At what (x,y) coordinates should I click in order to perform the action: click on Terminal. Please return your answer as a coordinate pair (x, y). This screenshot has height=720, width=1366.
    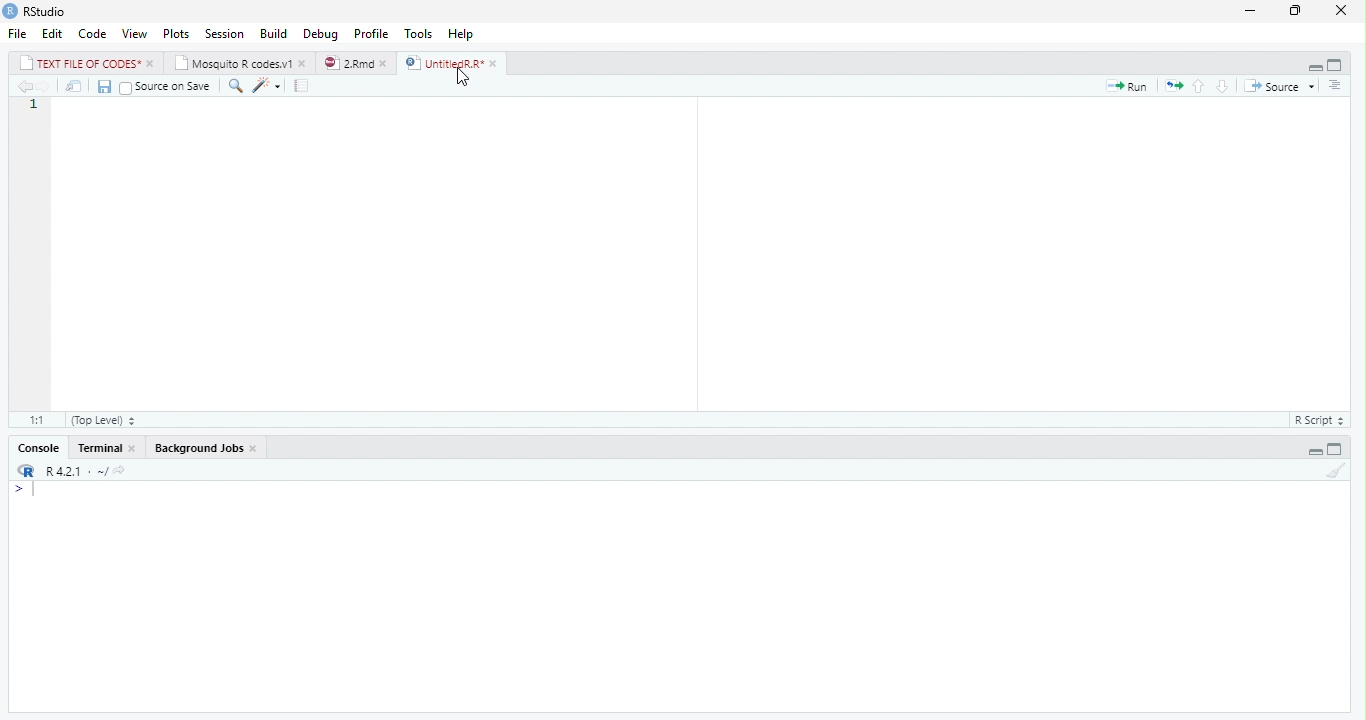
    Looking at the image, I should click on (108, 448).